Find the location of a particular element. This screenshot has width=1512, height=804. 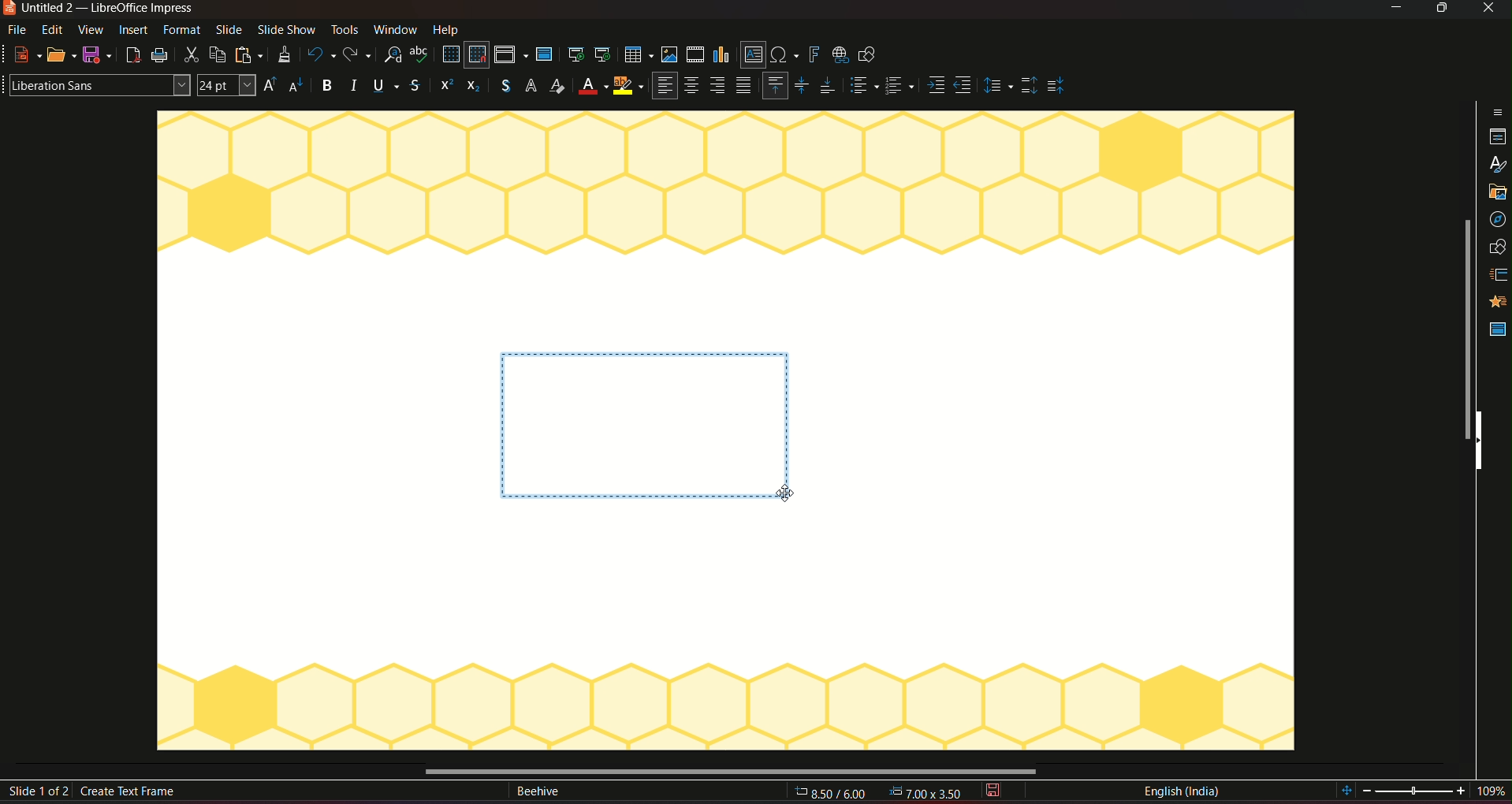

Untitled 2 — LibreOffice Impress is located at coordinates (99, 9).